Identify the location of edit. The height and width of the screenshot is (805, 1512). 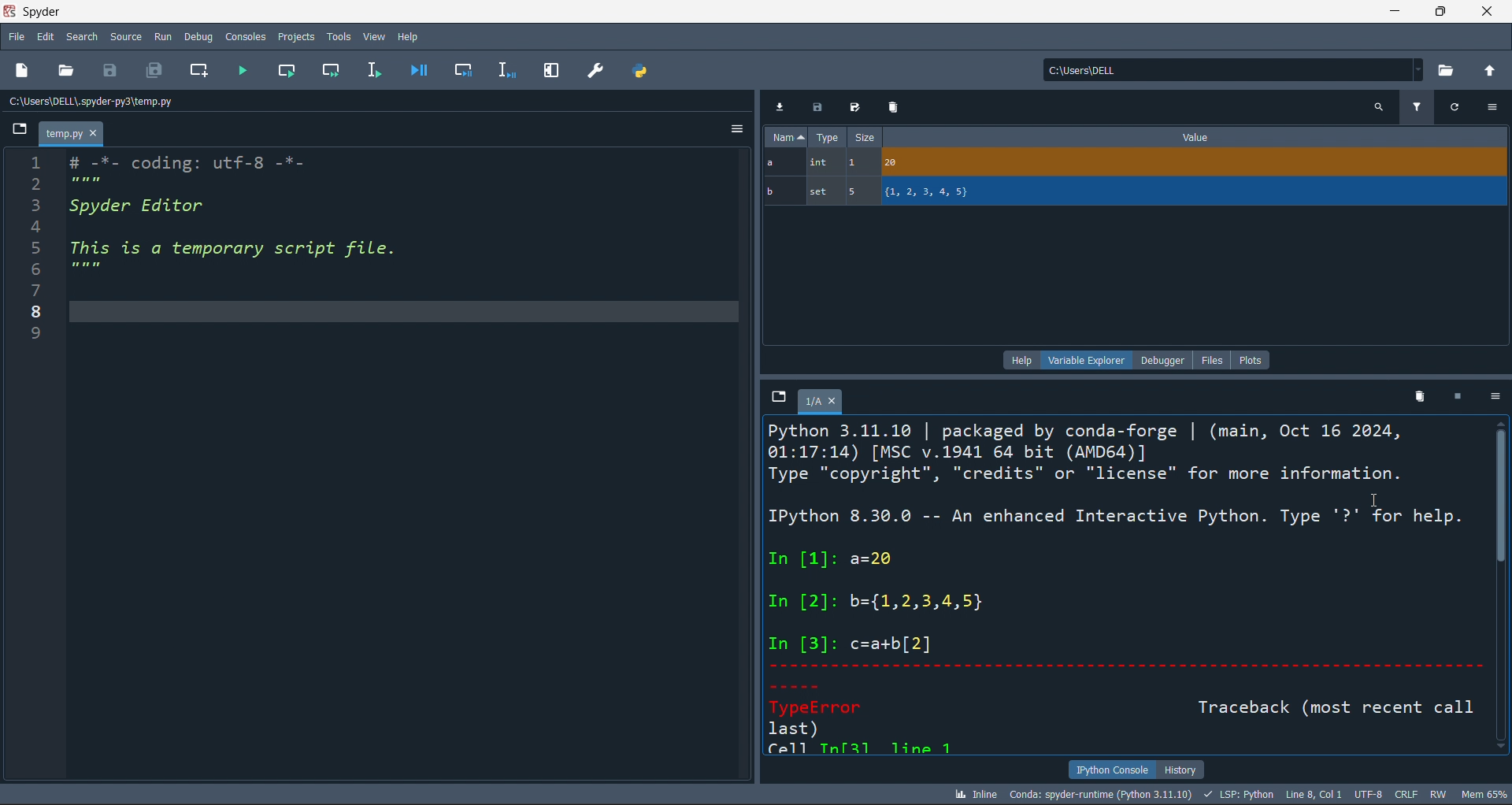
(46, 39).